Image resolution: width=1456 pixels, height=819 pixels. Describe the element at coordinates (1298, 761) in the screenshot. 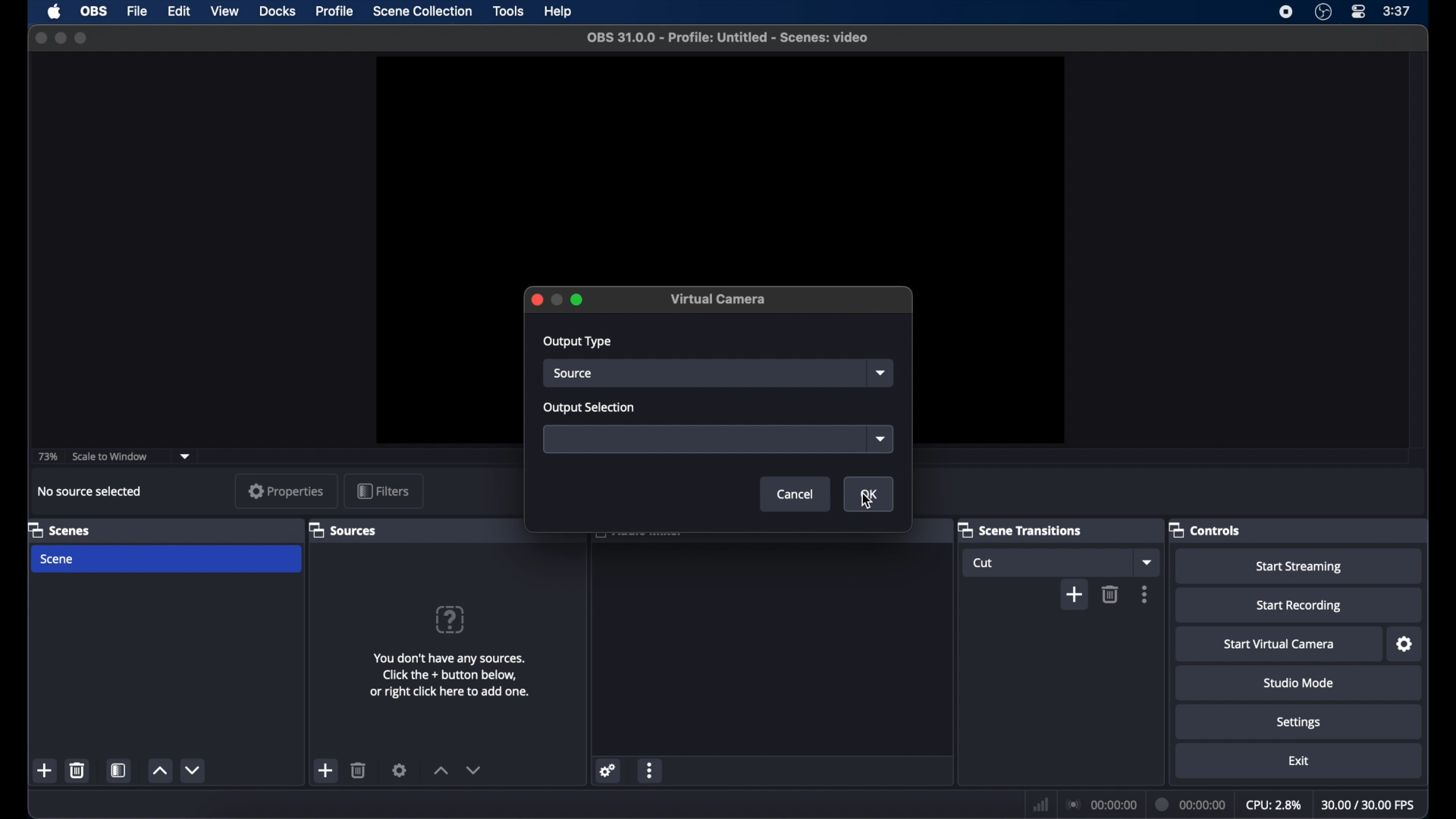

I see `exit` at that location.